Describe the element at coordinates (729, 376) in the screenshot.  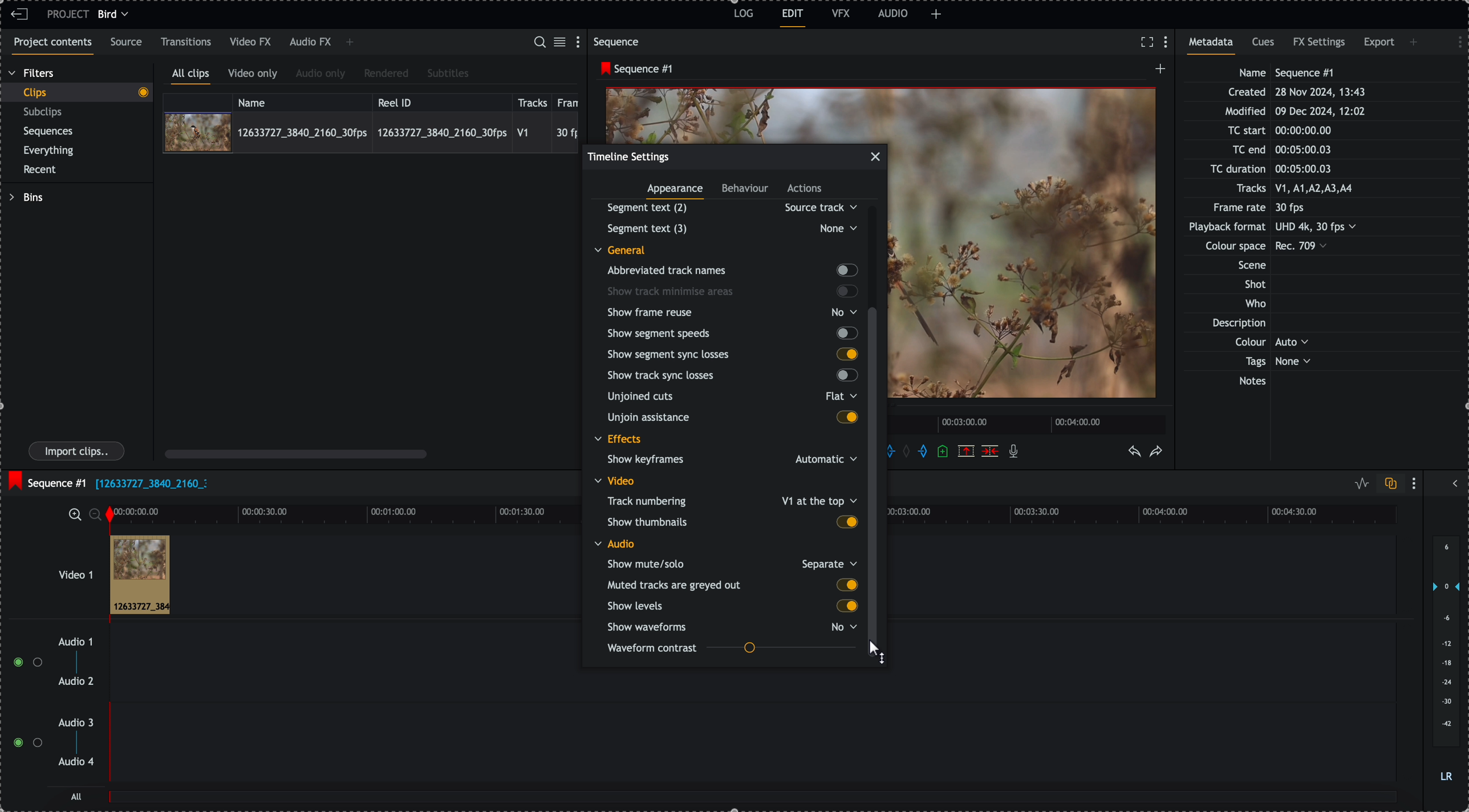
I see `show track sync losses` at that location.